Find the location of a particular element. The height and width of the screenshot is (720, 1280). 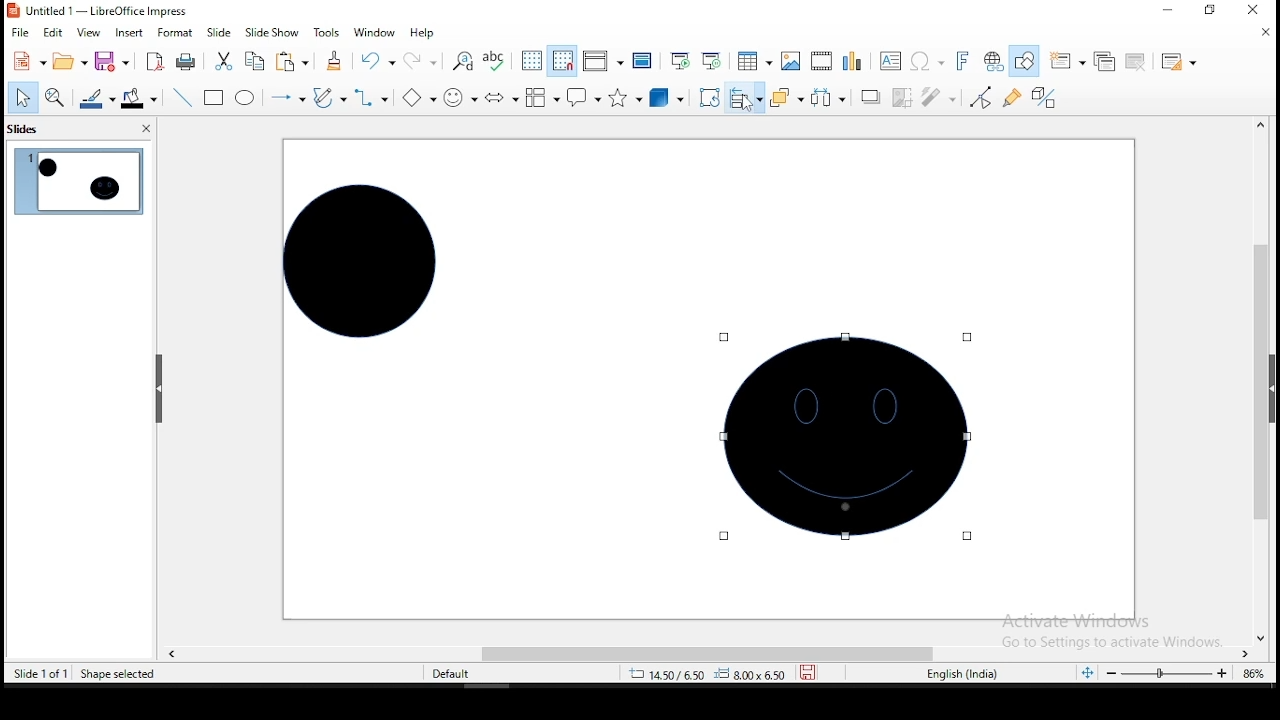

find and replace is located at coordinates (463, 60).